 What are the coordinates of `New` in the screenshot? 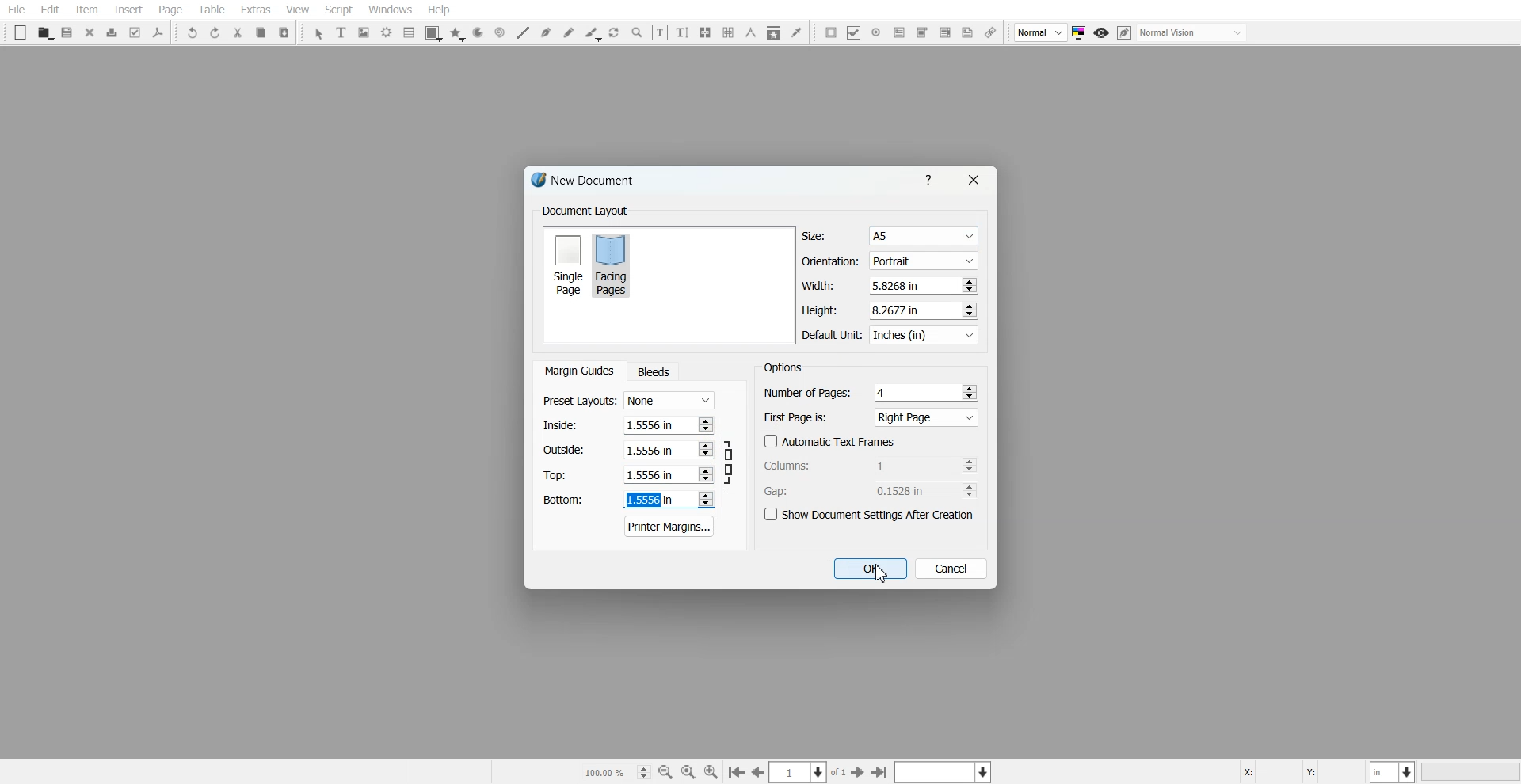 It's located at (21, 32).